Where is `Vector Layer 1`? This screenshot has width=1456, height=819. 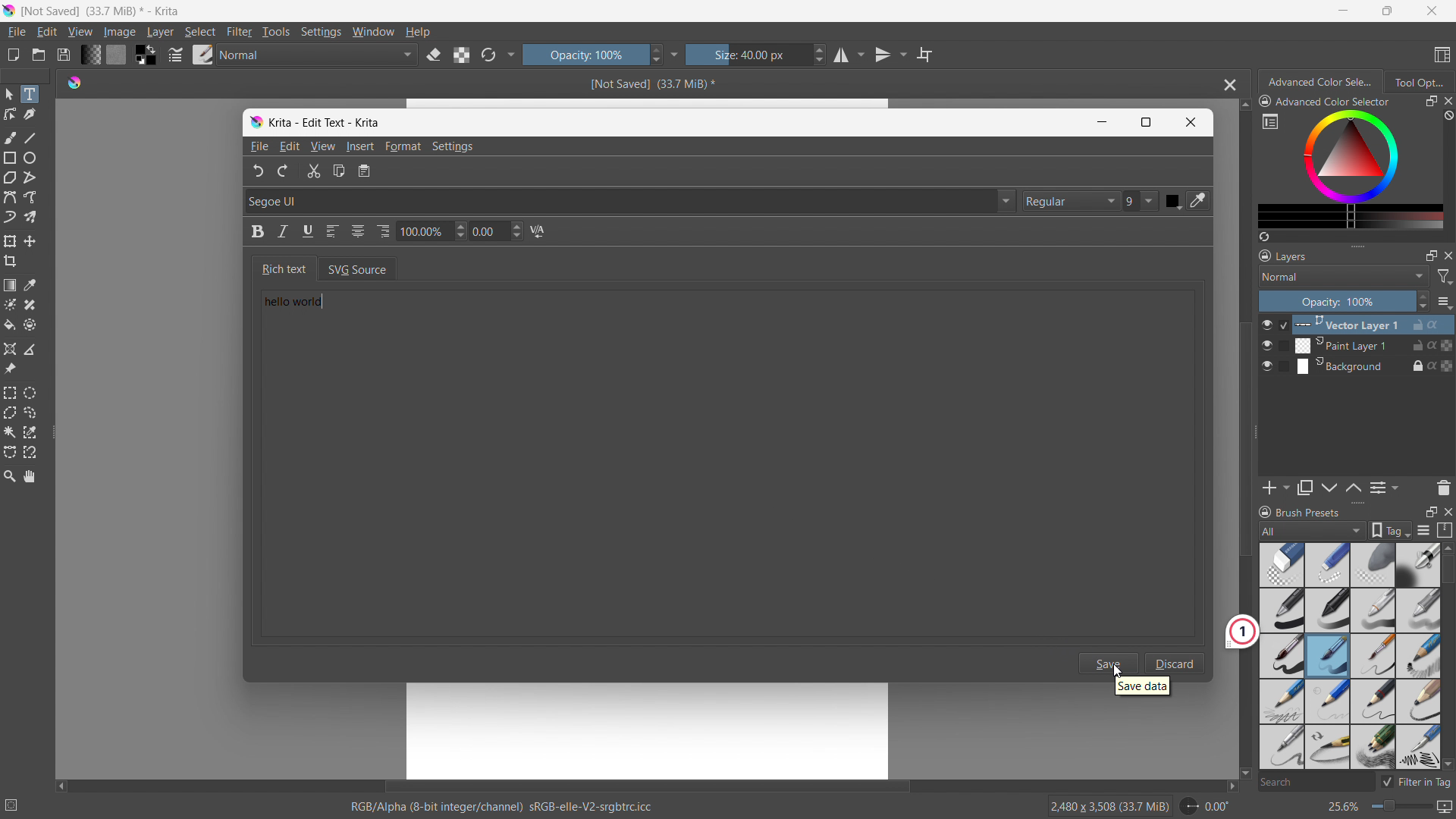 Vector Layer 1 is located at coordinates (1366, 324).